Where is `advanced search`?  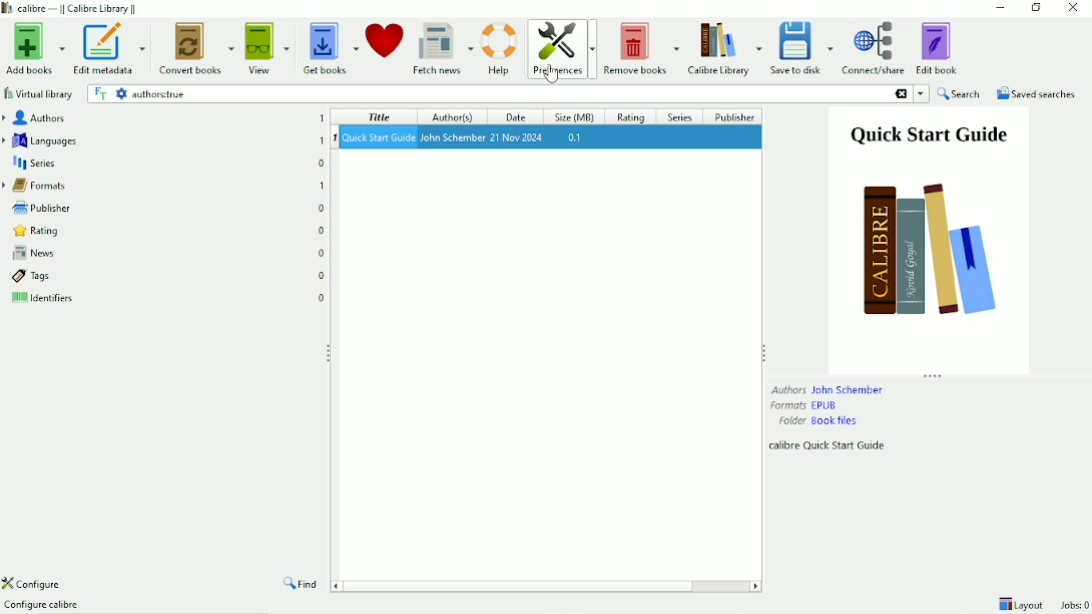
advanced search is located at coordinates (121, 94).